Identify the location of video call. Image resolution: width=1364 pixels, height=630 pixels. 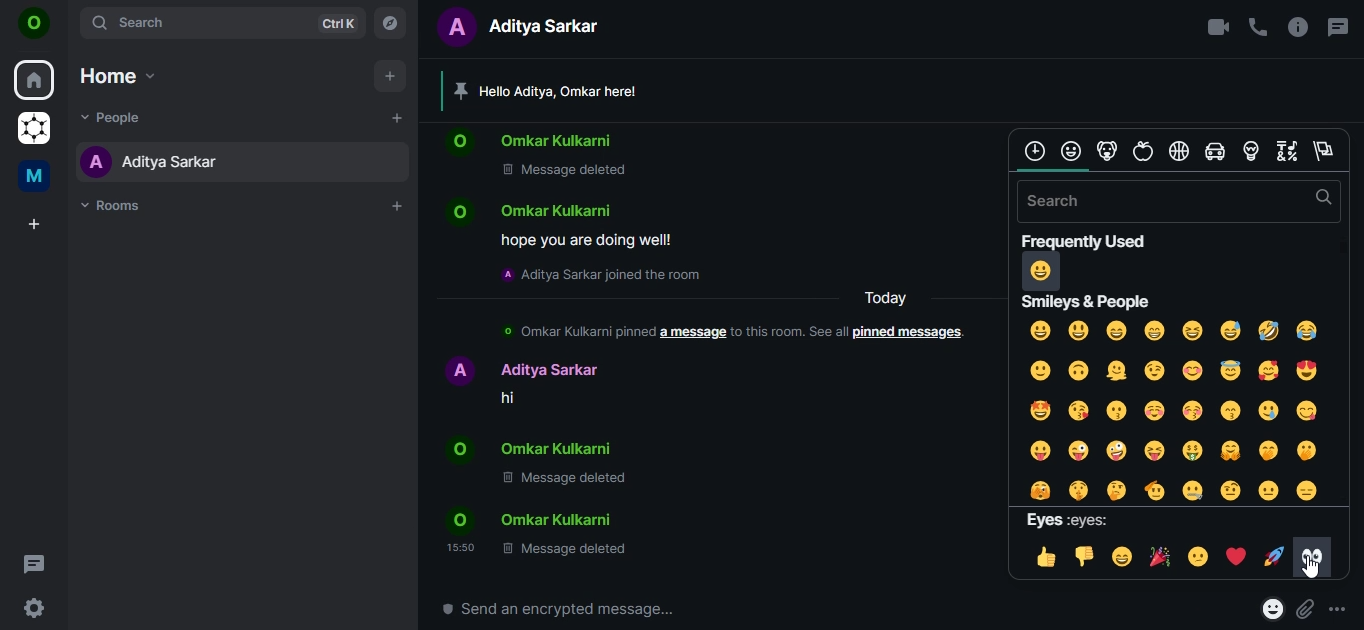
(1216, 27).